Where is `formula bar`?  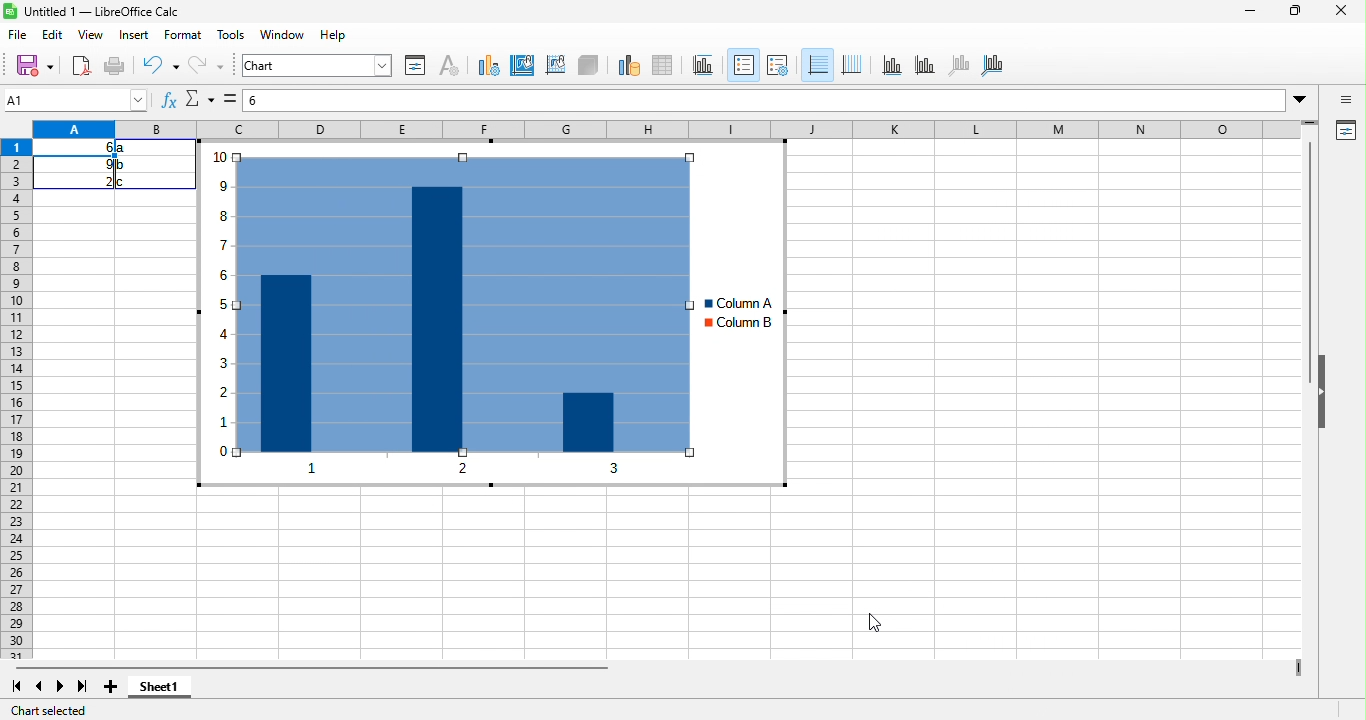 formula bar is located at coordinates (779, 98).